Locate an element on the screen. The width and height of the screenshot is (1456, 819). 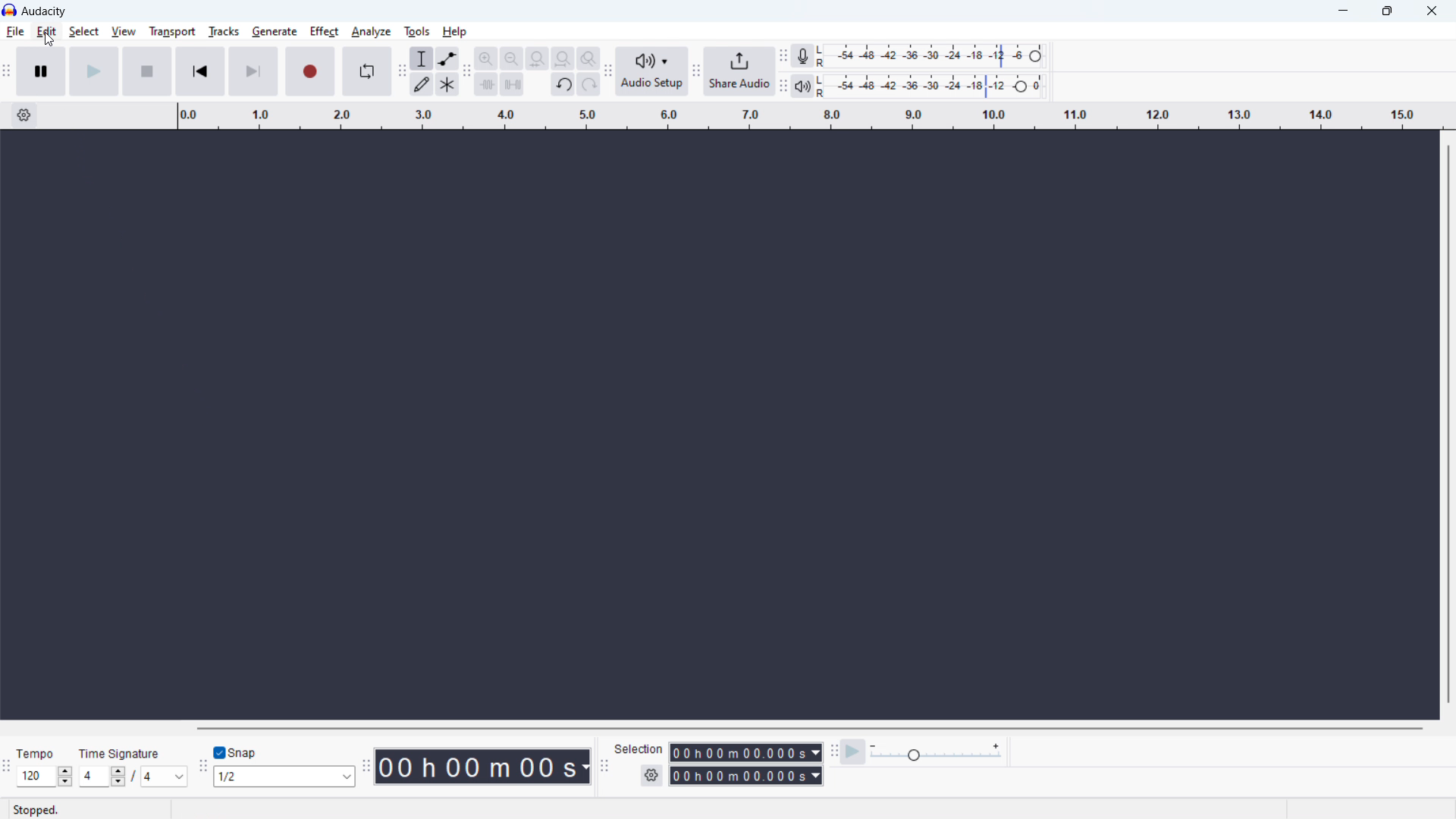
Enales movement of snapping toolbar is located at coordinates (202, 767).